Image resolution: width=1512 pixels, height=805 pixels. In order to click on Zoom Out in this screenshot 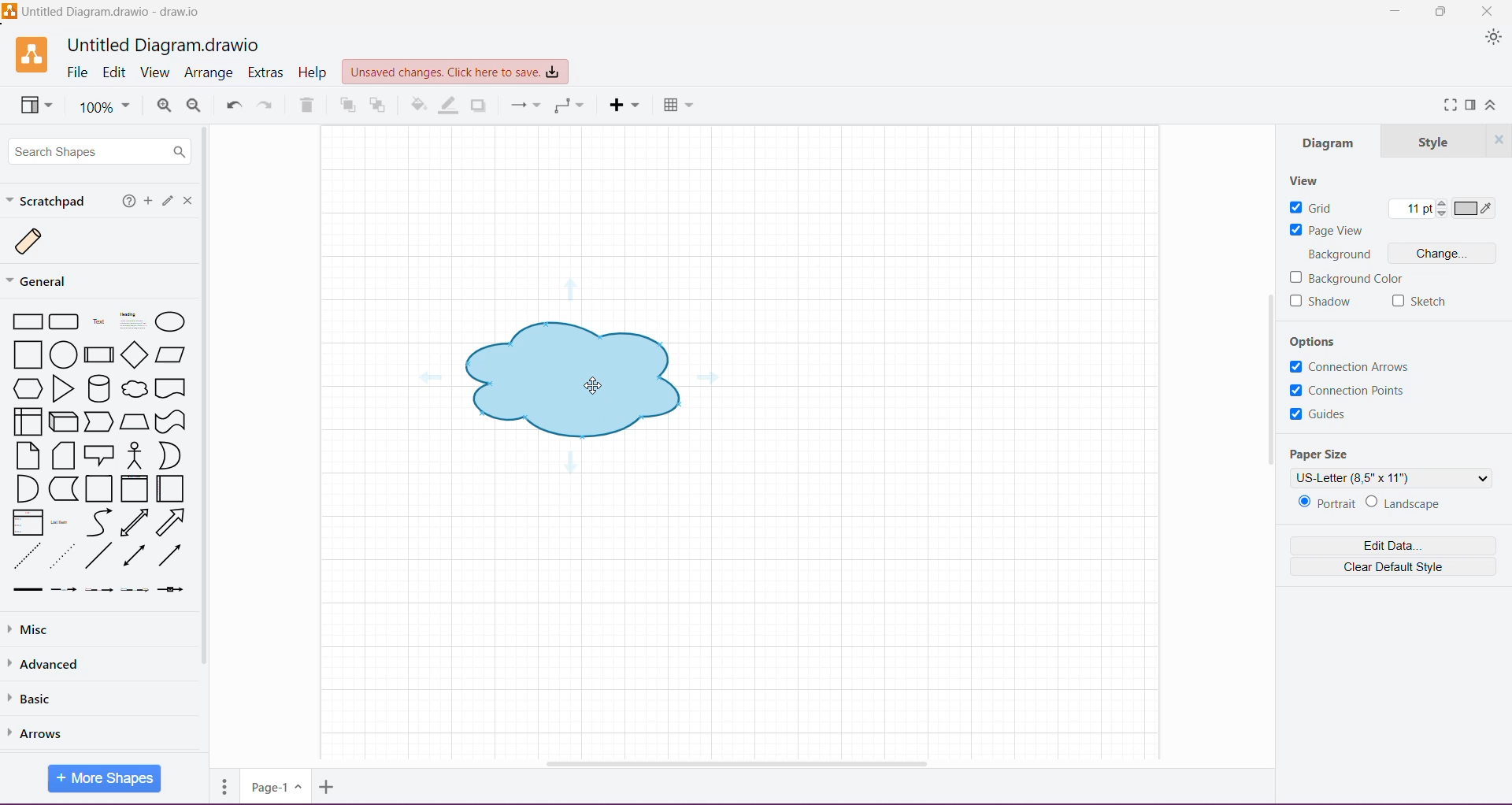, I will do `click(195, 106)`.